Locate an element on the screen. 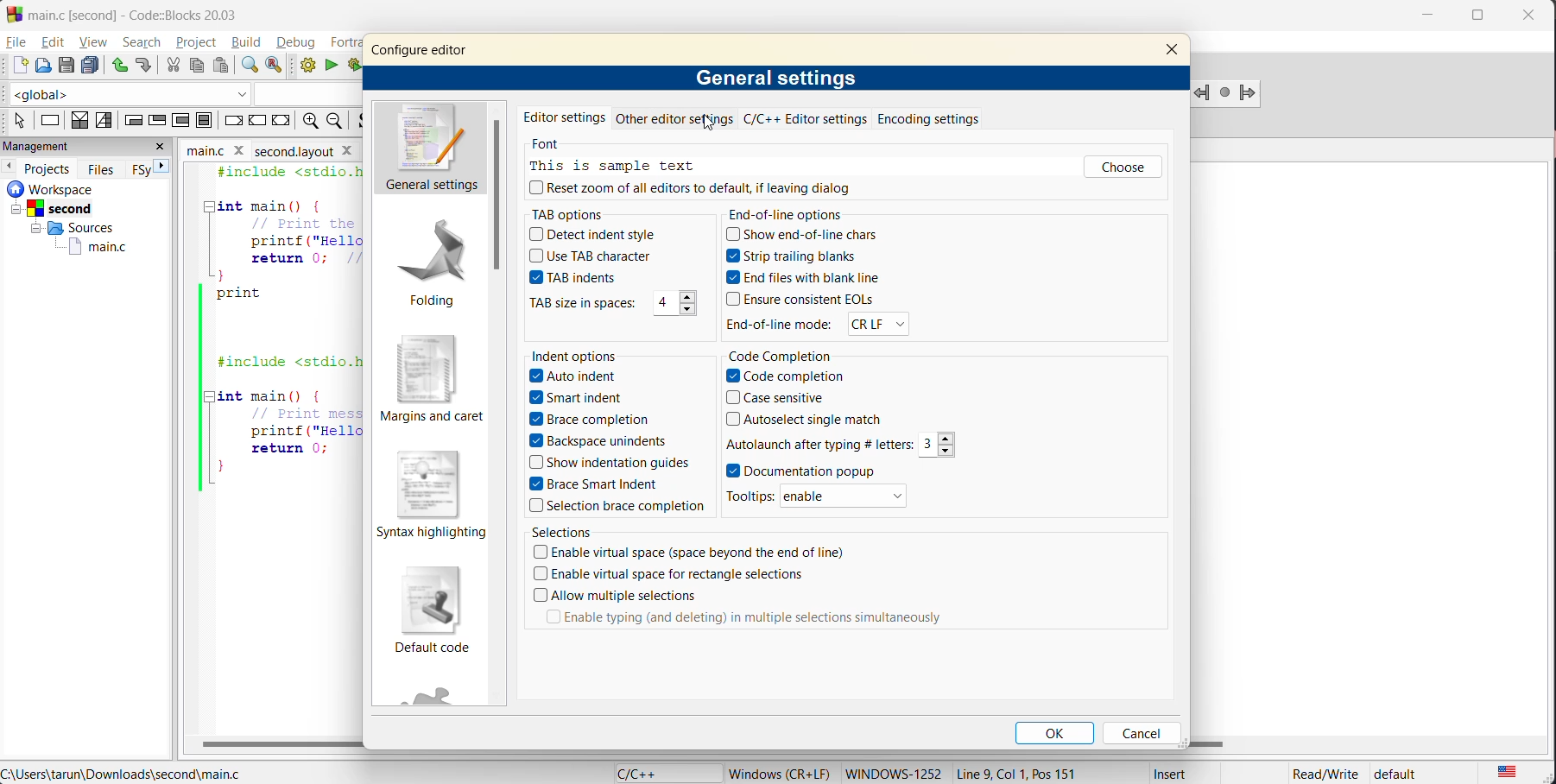 Image resolution: width=1556 pixels, height=784 pixels. replace is located at coordinates (281, 68).